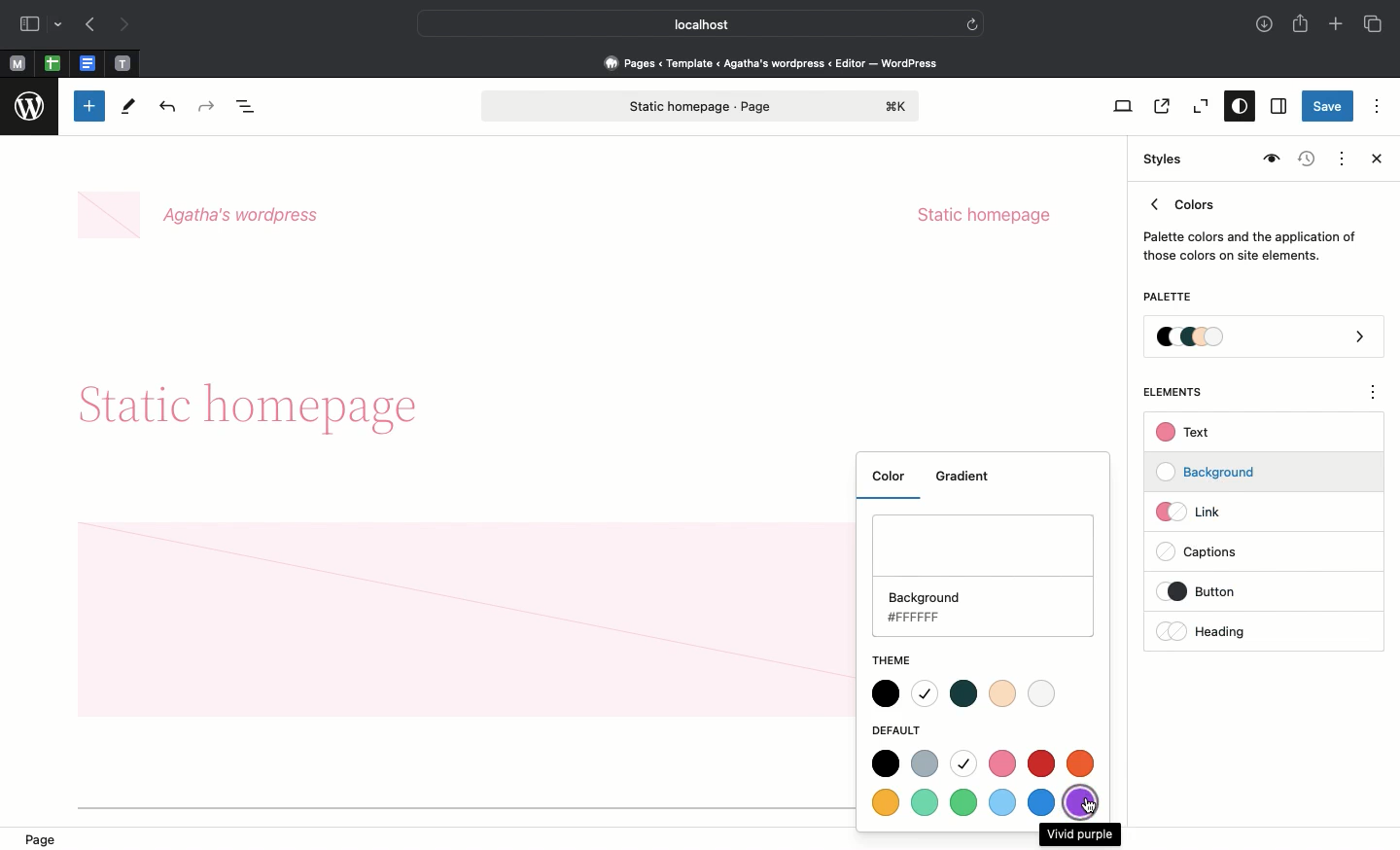 The width and height of the screenshot is (1400, 850). What do you see at coordinates (1265, 338) in the screenshot?
I see `Palette` at bounding box center [1265, 338].